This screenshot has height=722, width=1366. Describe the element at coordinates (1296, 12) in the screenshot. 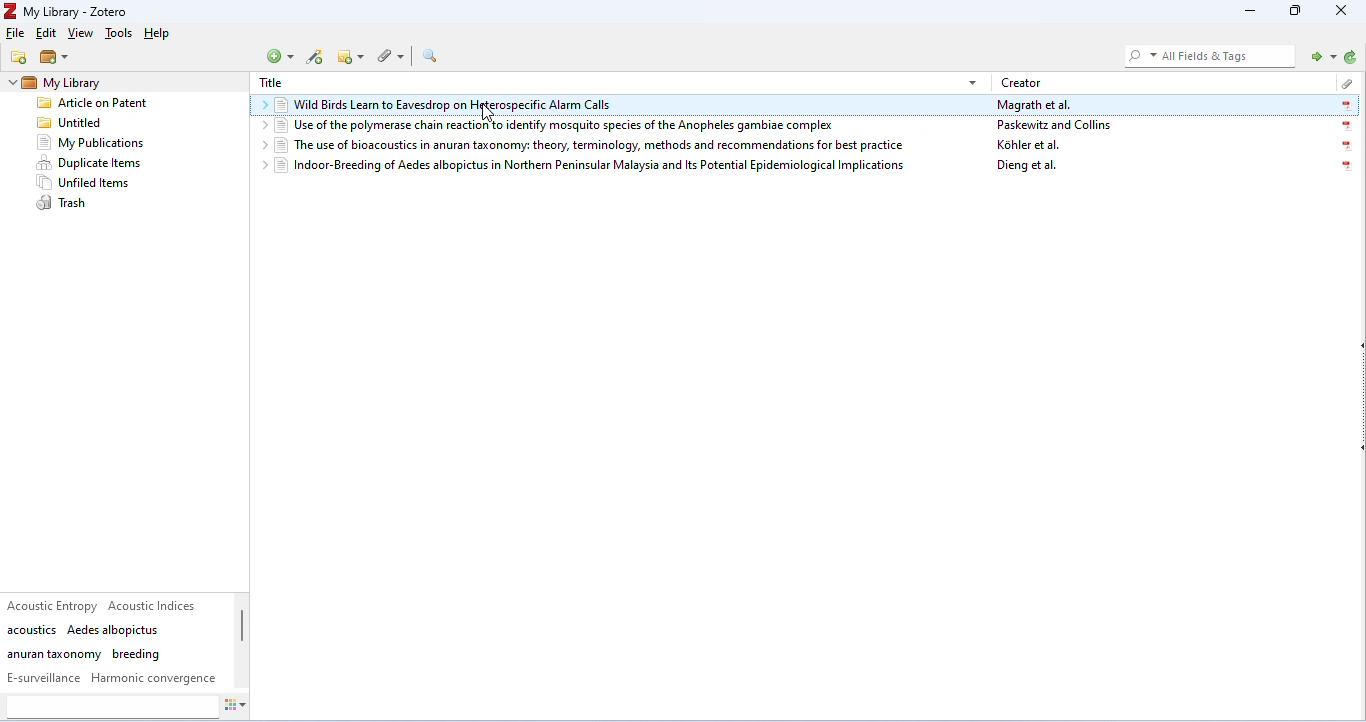

I see `maximize` at that location.